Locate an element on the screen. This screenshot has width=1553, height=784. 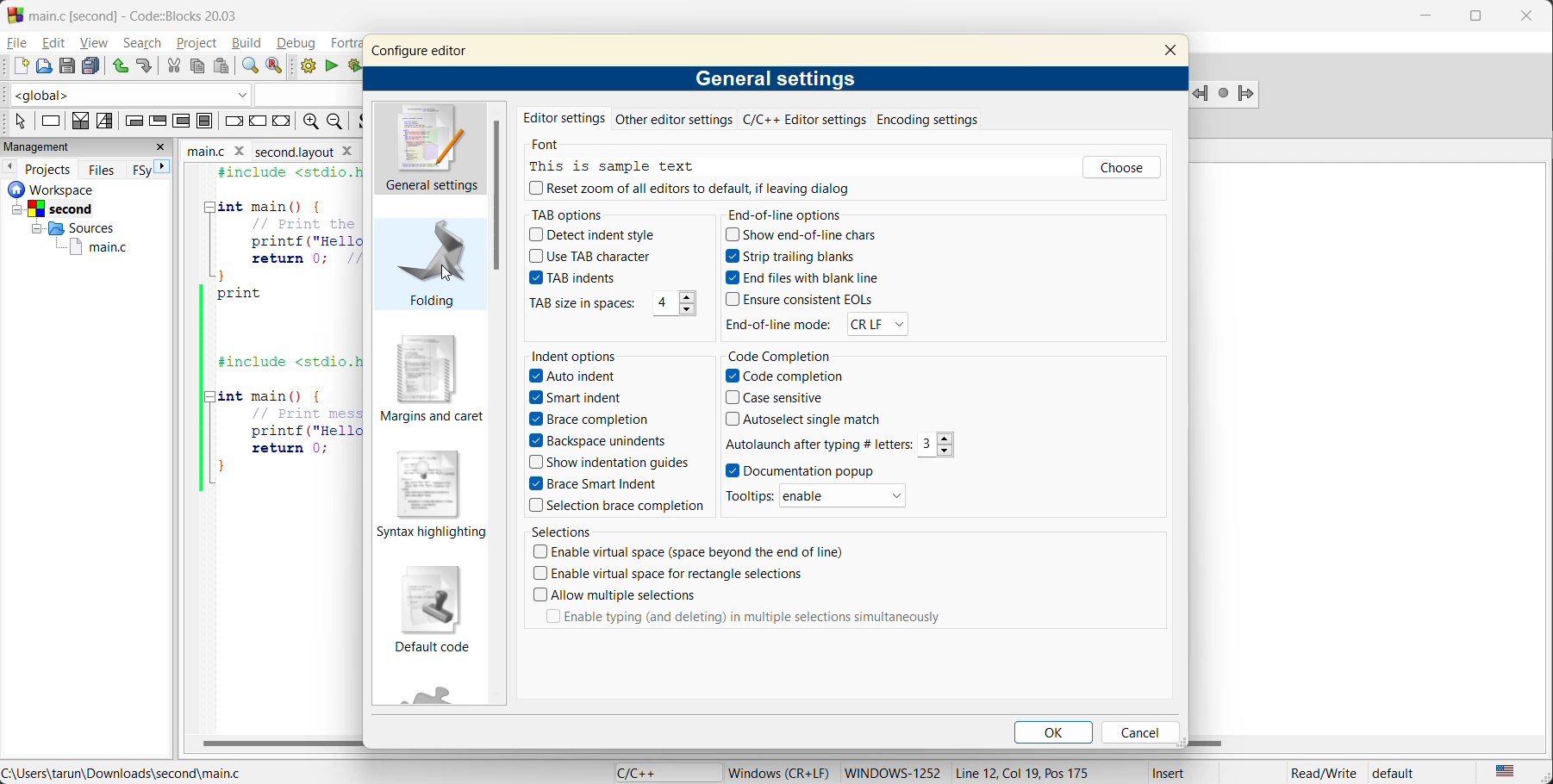
other editor settings is located at coordinates (677, 121).